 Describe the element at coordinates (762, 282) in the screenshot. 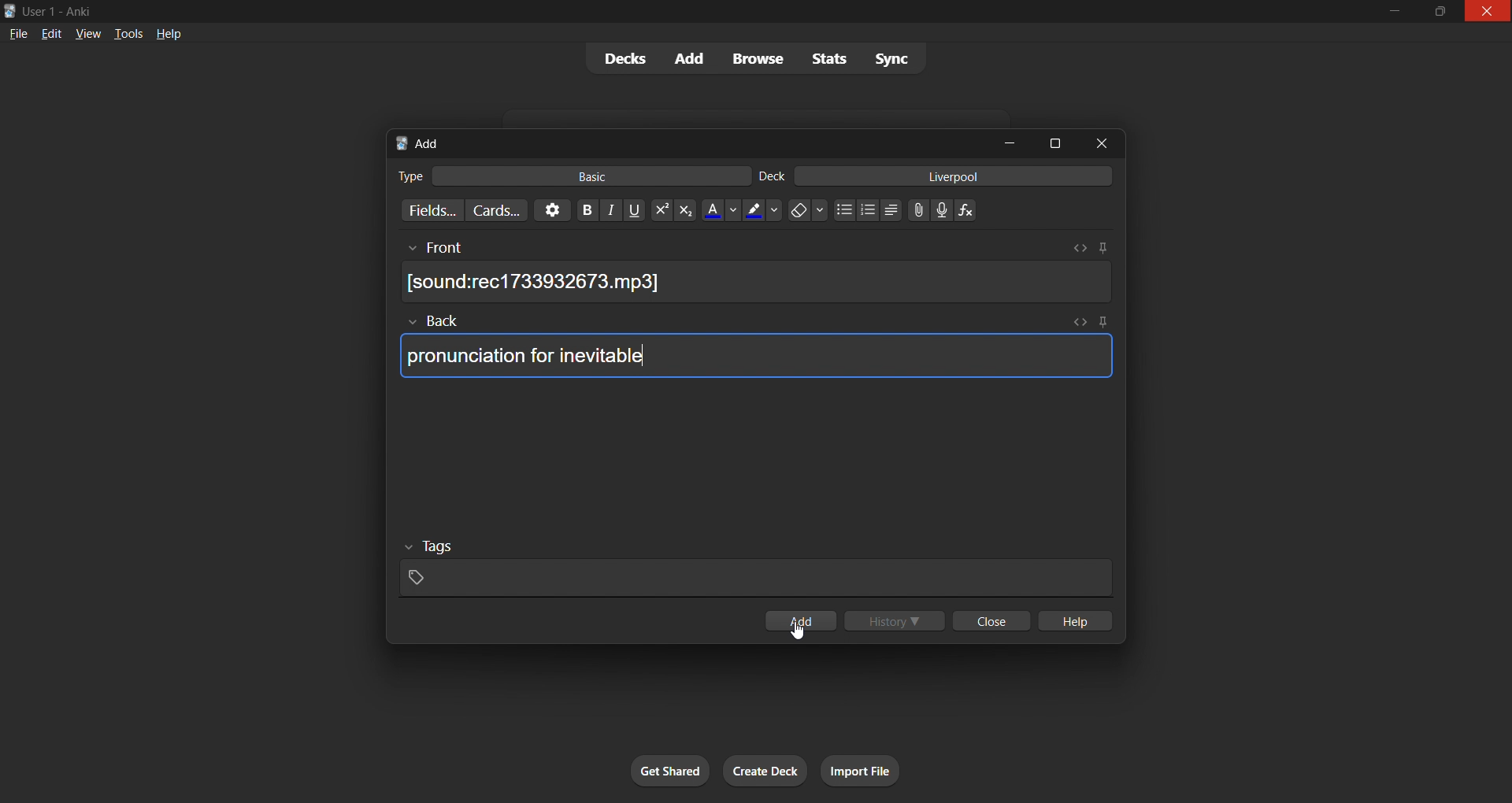

I see `audio file ` at that location.